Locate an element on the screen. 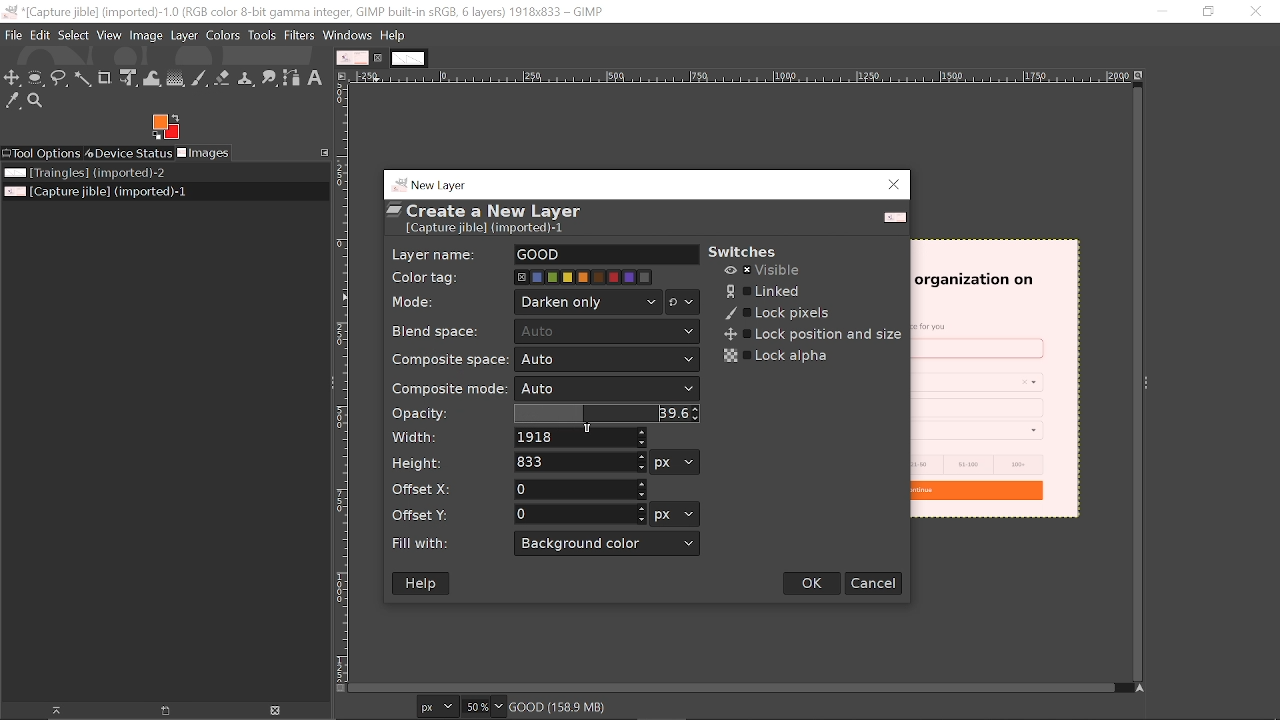 The width and height of the screenshot is (1280, 720). minimize is located at coordinates (1155, 11).